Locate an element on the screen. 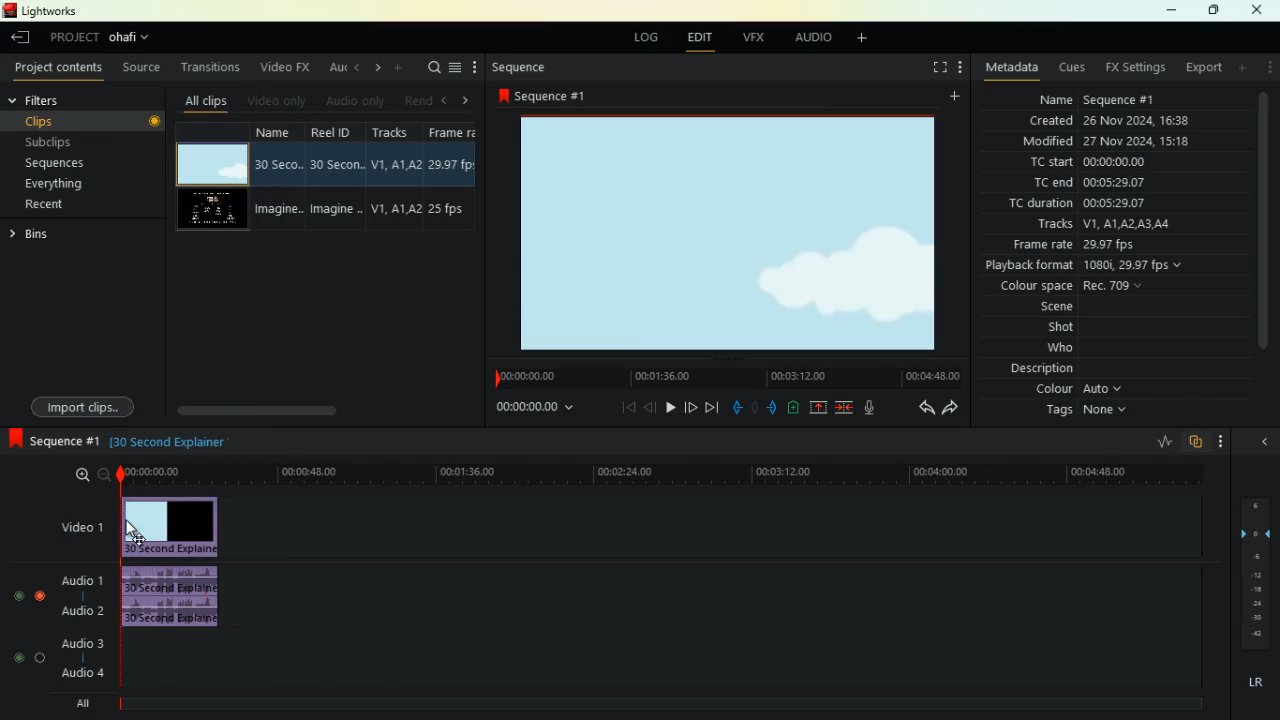 This screenshot has height=720, width=1280. image is located at coordinates (731, 232).